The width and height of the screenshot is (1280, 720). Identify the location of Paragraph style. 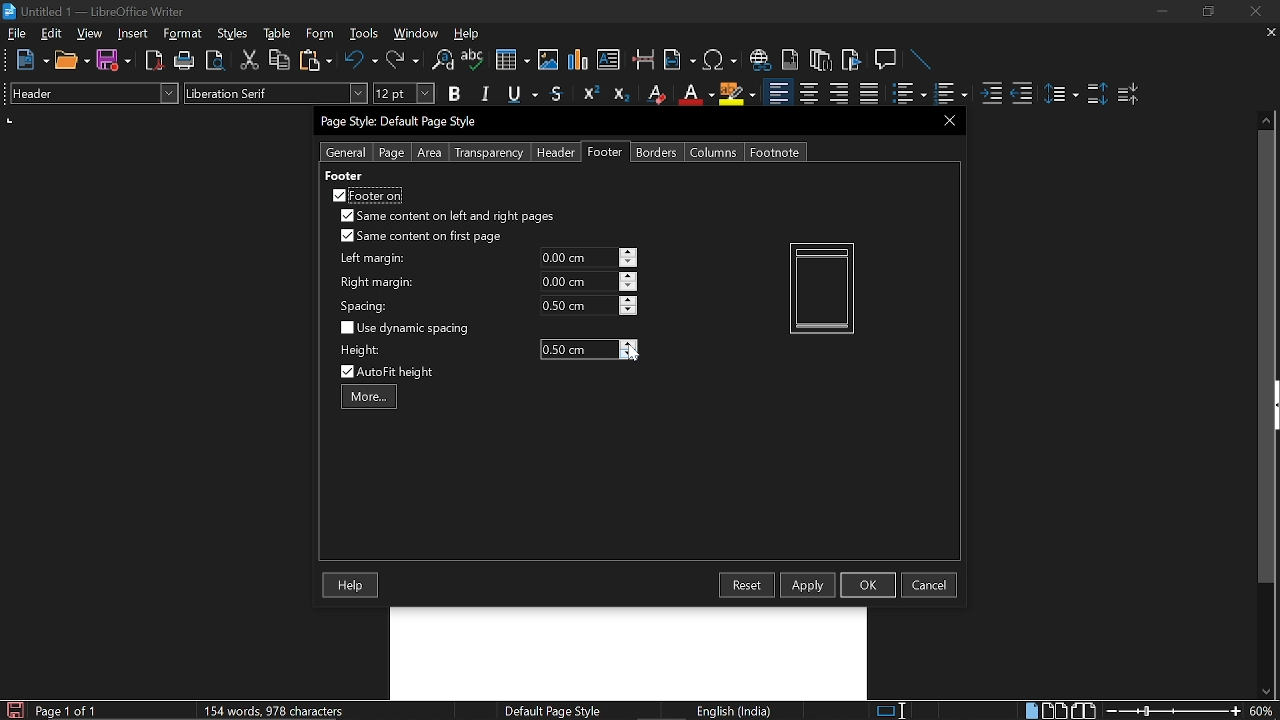
(91, 93).